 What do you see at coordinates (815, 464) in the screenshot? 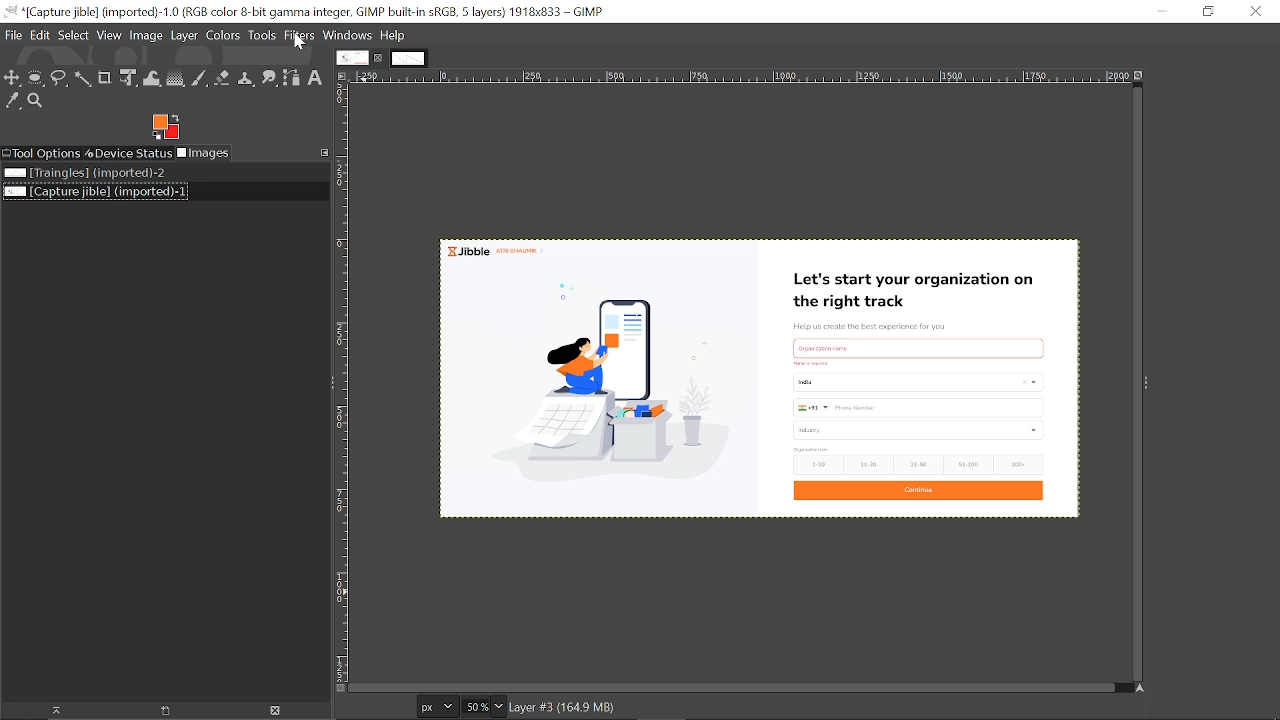
I see `1-10` at bounding box center [815, 464].